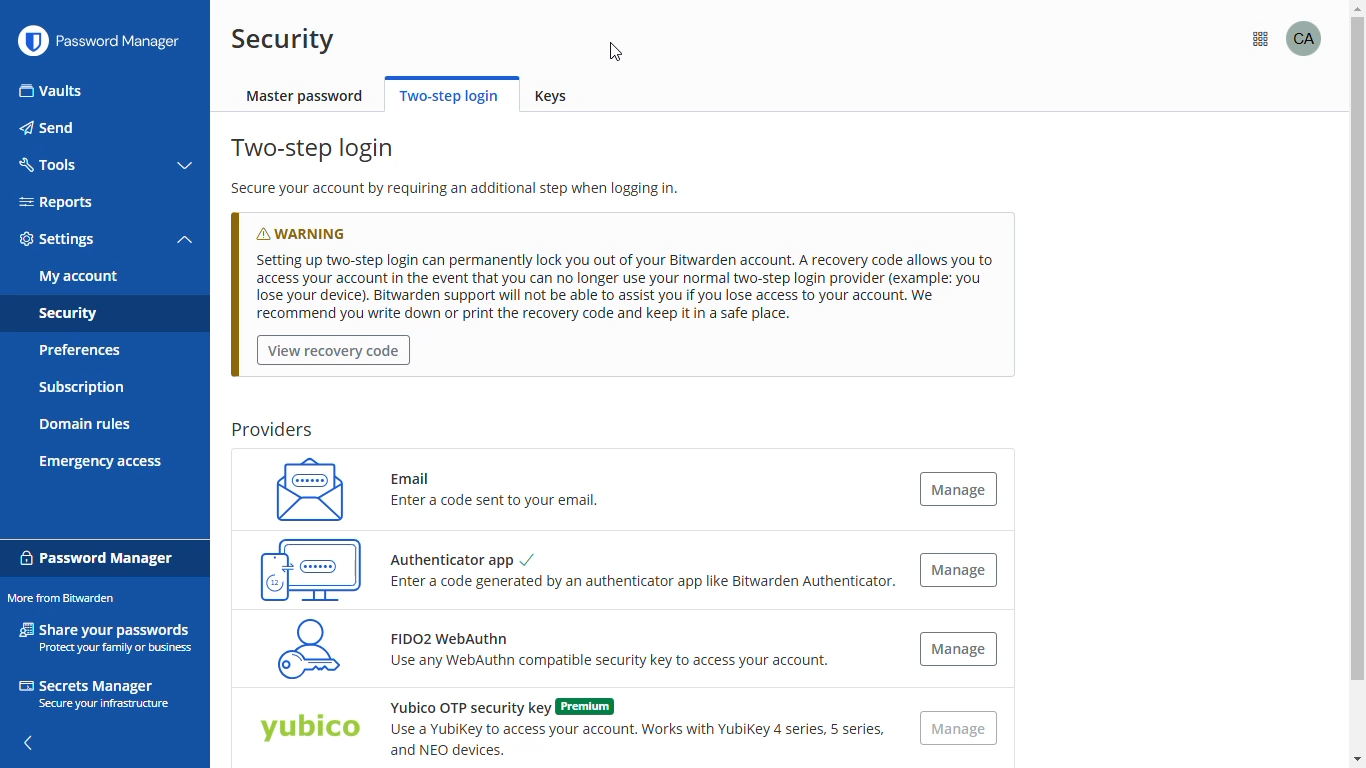 The image size is (1366, 768). Describe the element at coordinates (309, 730) in the screenshot. I see `Yubico OTP security key (Premium)` at that location.